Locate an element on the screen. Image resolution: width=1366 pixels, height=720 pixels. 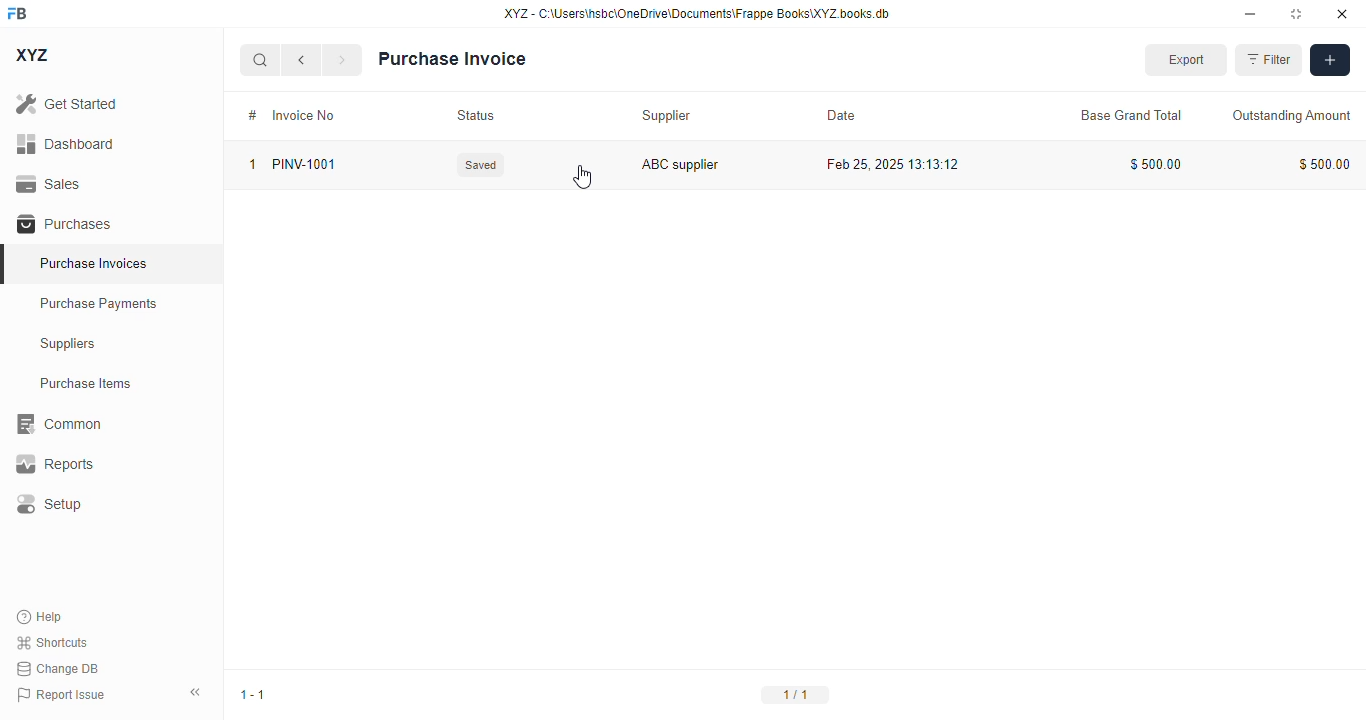
get started is located at coordinates (68, 103).